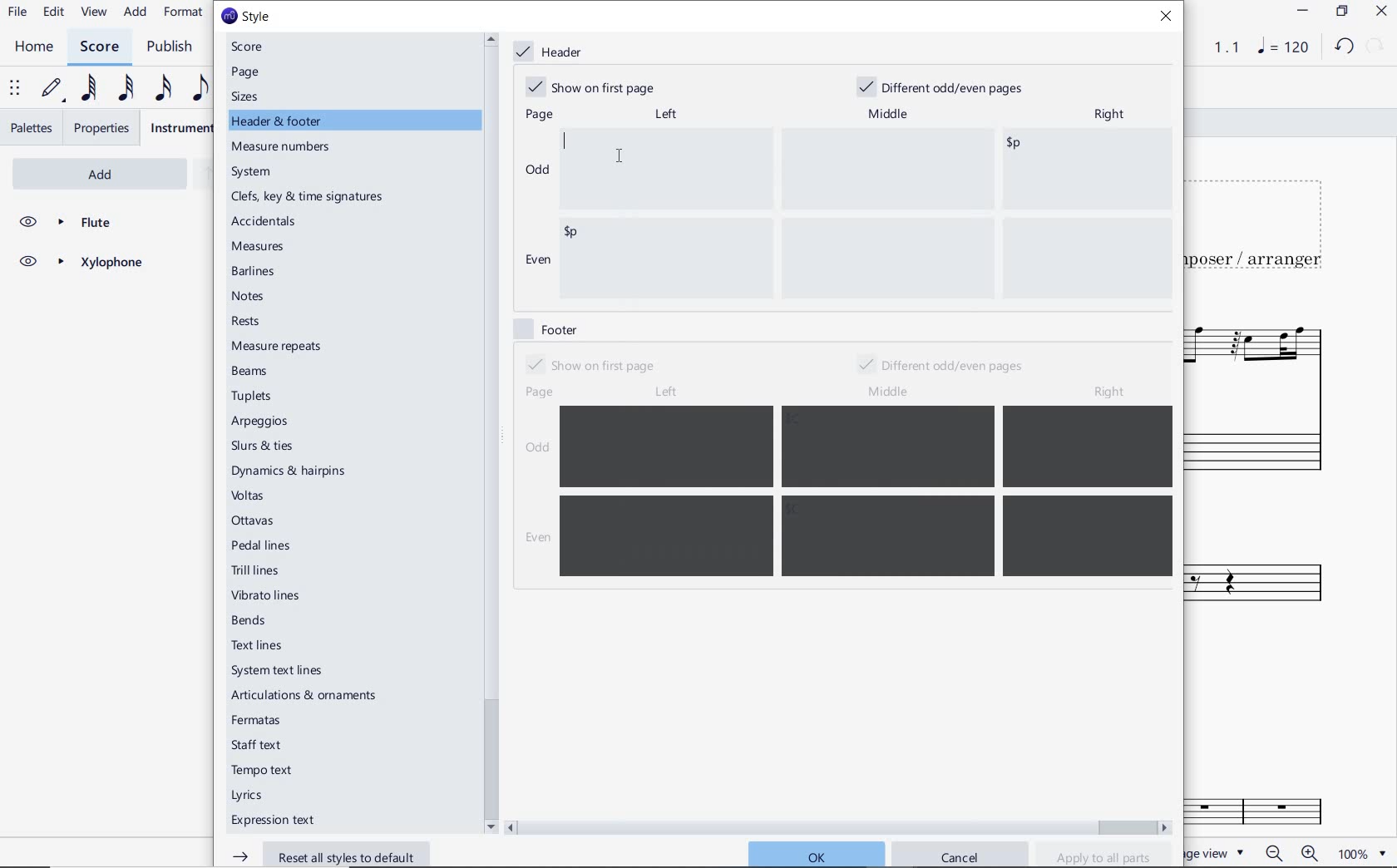 Image resolution: width=1397 pixels, height=868 pixels. Describe the element at coordinates (258, 745) in the screenshot. I see `staff text` at that location.